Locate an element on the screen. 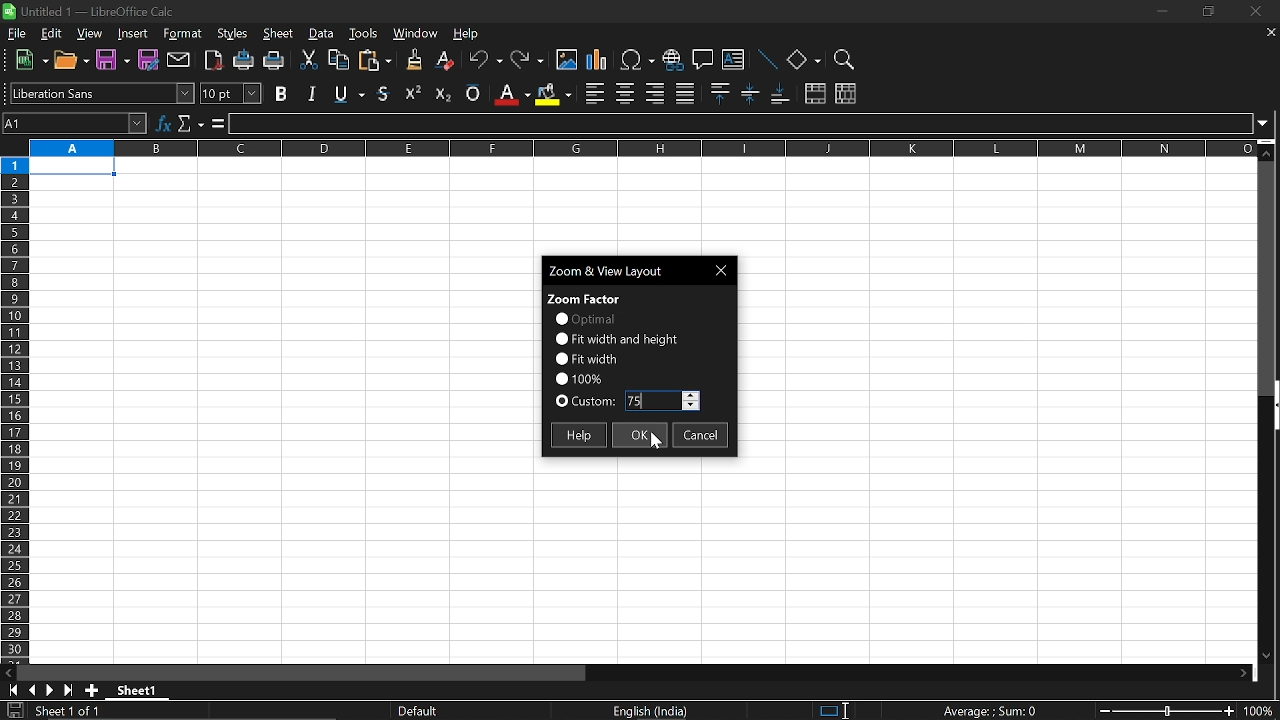  open is located at coordinates (73, 63).